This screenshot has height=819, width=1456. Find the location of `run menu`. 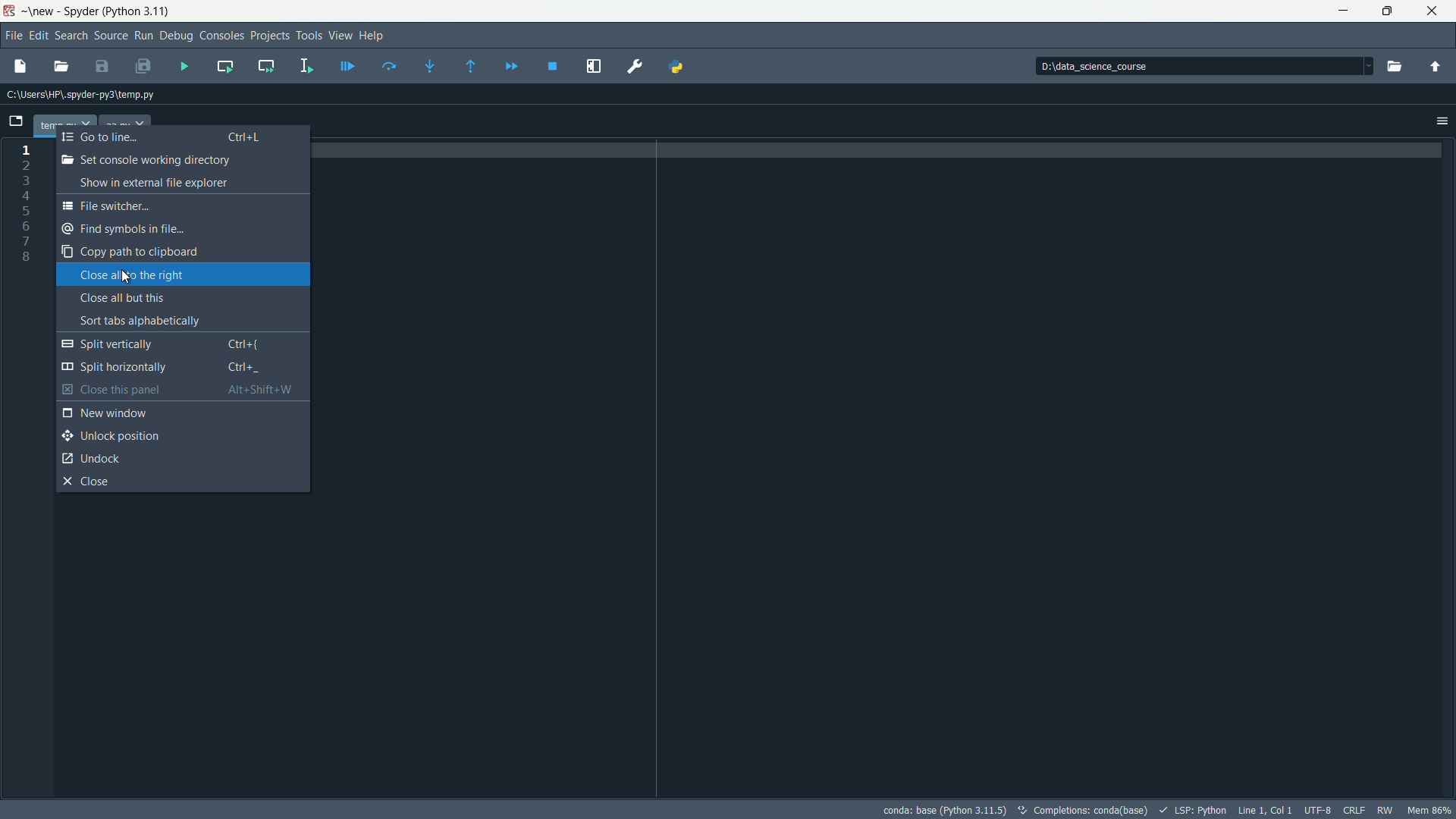

run menu is located at coordinates (143, 35).